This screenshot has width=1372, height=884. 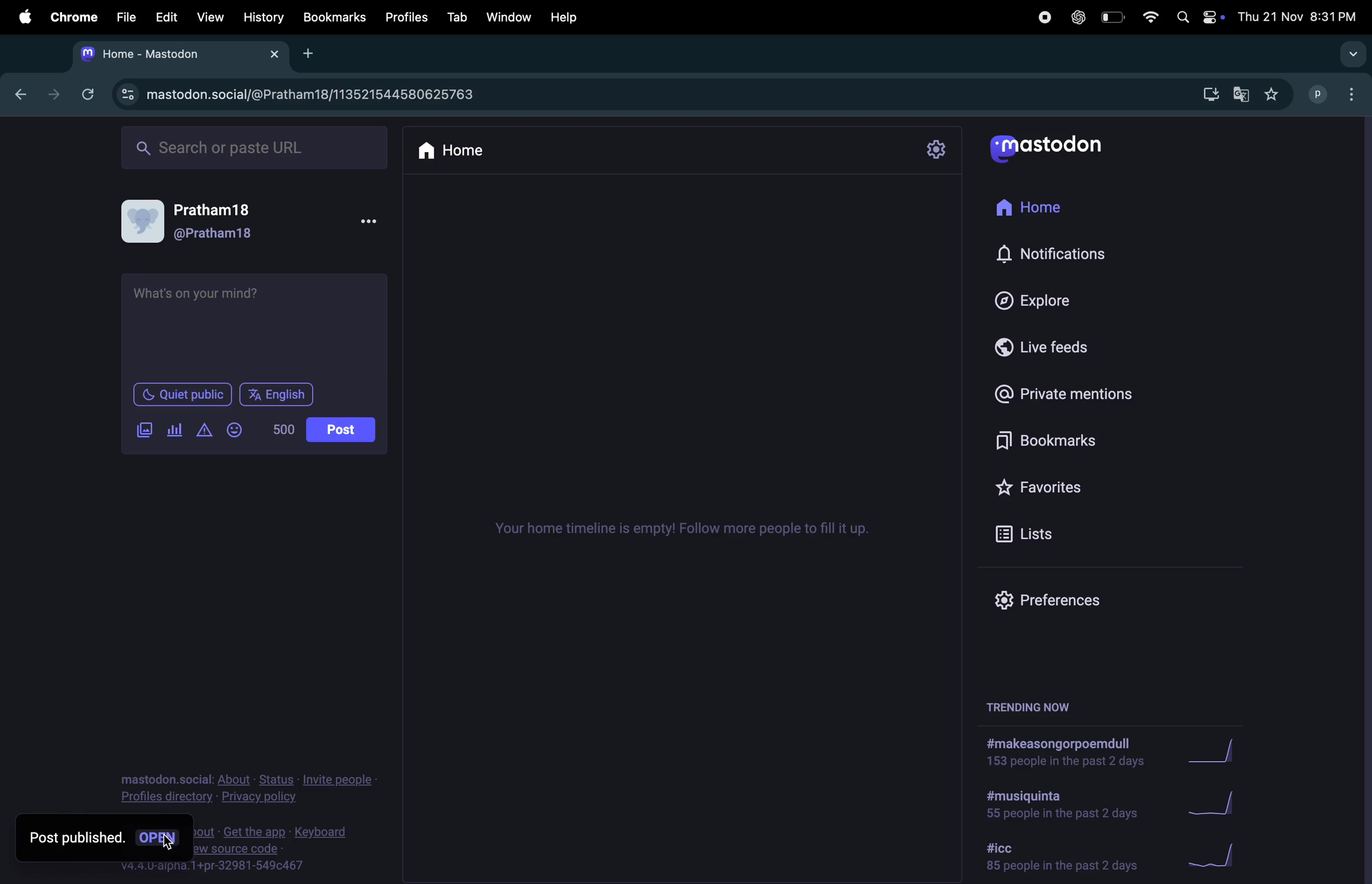 I want to click on bookmarks, so click(x=1045, y=441).